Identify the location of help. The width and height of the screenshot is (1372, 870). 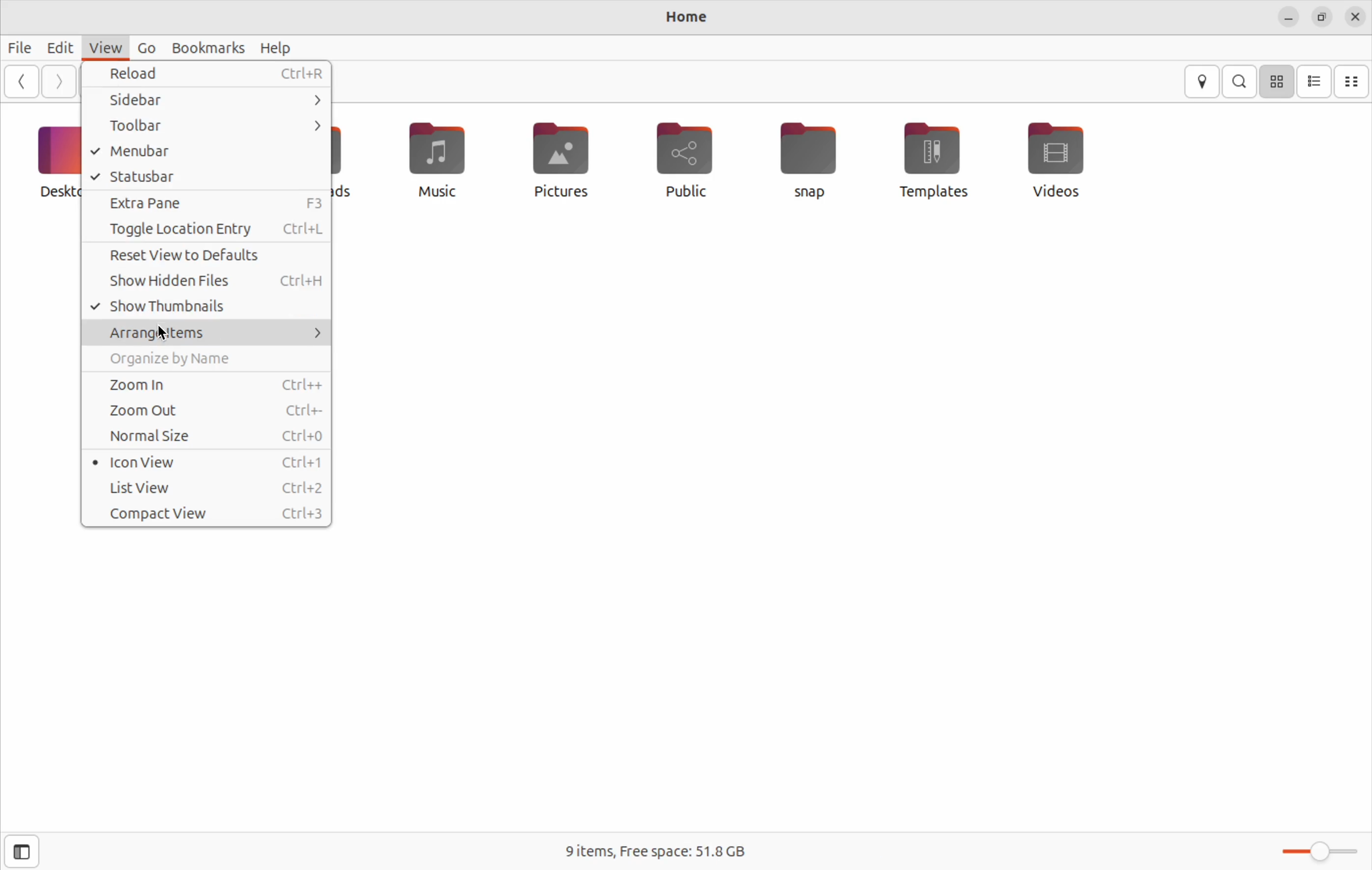
(277, 48).